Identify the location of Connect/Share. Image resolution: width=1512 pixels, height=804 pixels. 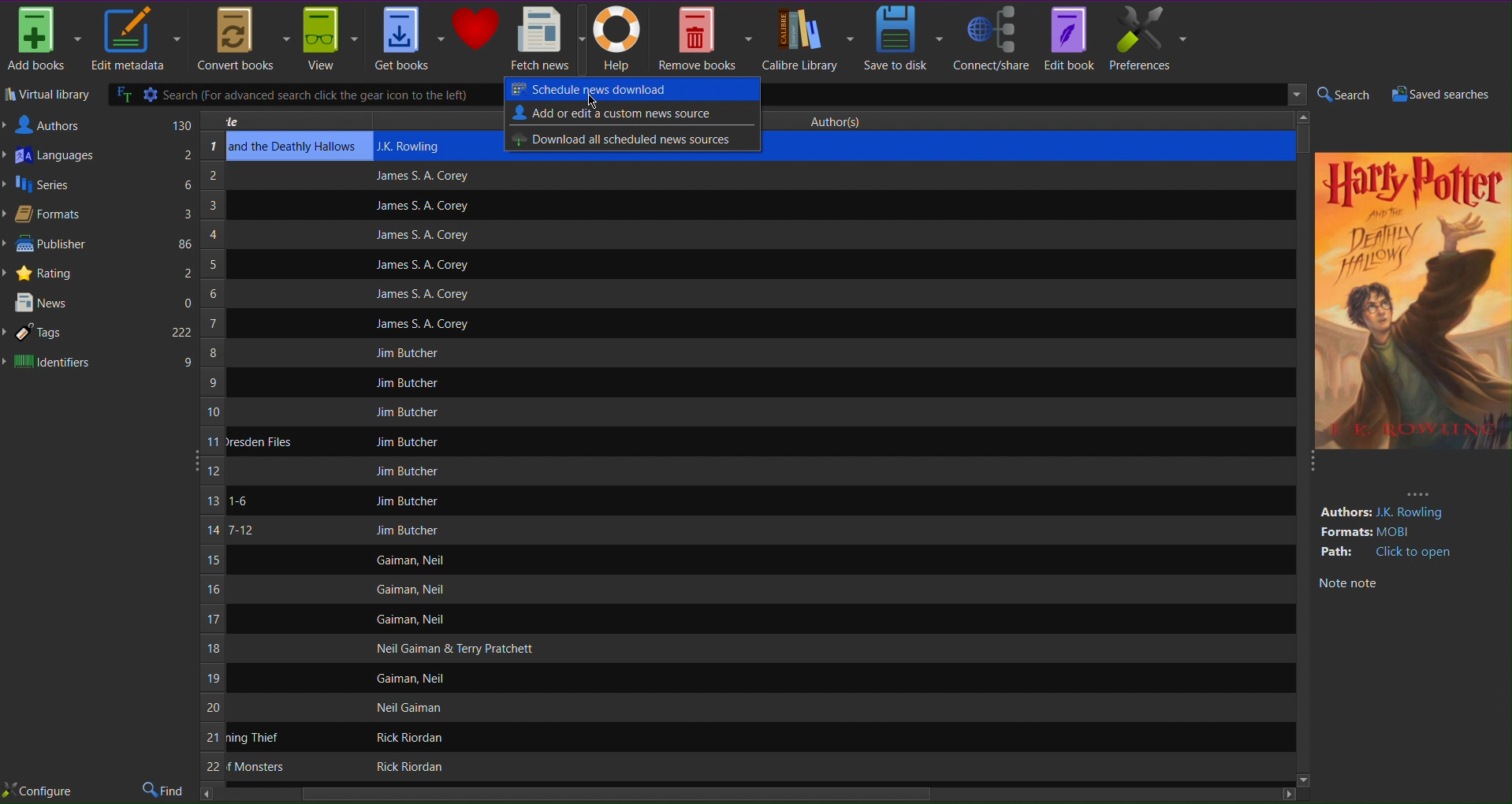
(992, 37).